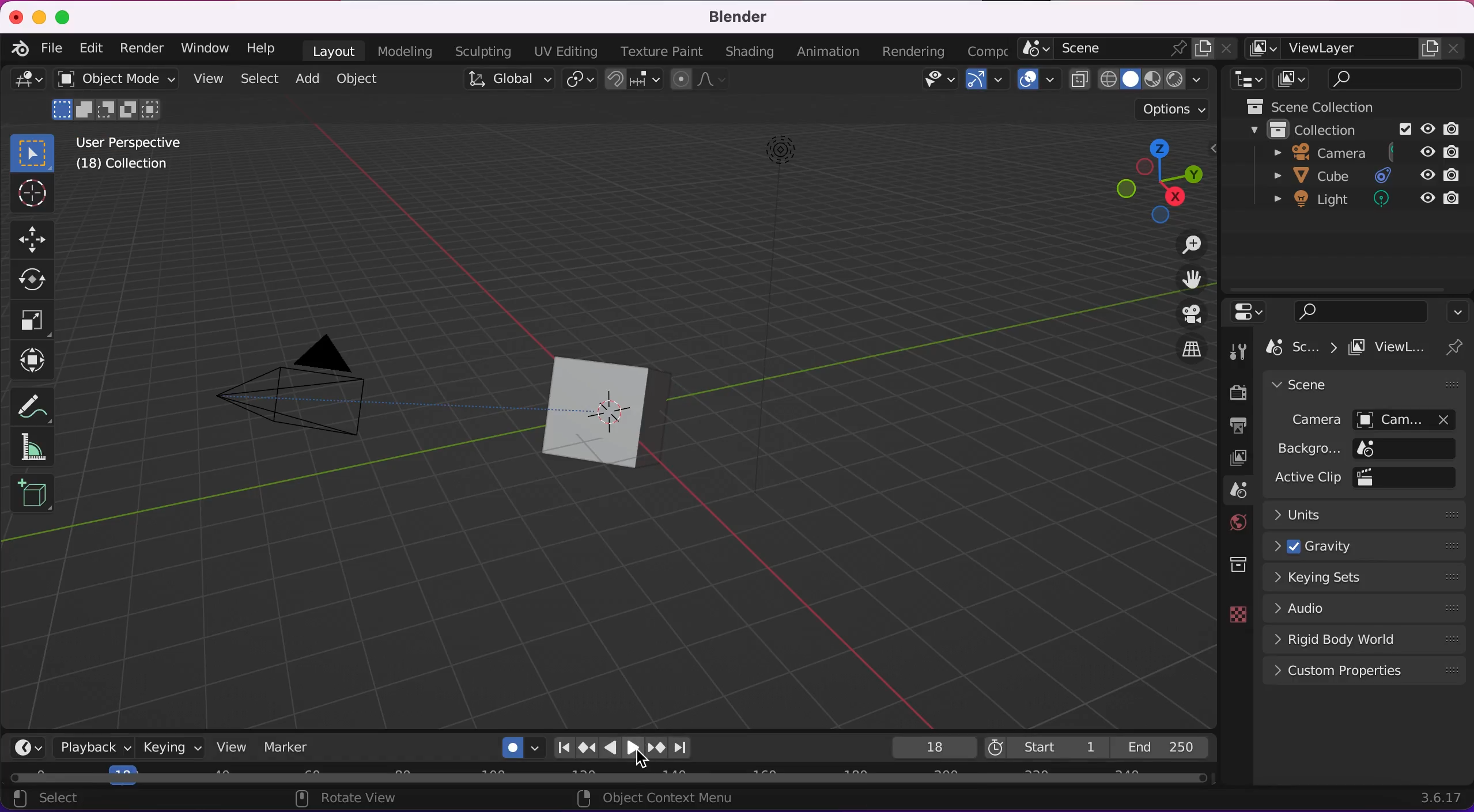 The image size is (1474, 812). What do you see at coordinates (1397, 79) in the screenshot?
I see `search` at bounding box center [1397, 79].